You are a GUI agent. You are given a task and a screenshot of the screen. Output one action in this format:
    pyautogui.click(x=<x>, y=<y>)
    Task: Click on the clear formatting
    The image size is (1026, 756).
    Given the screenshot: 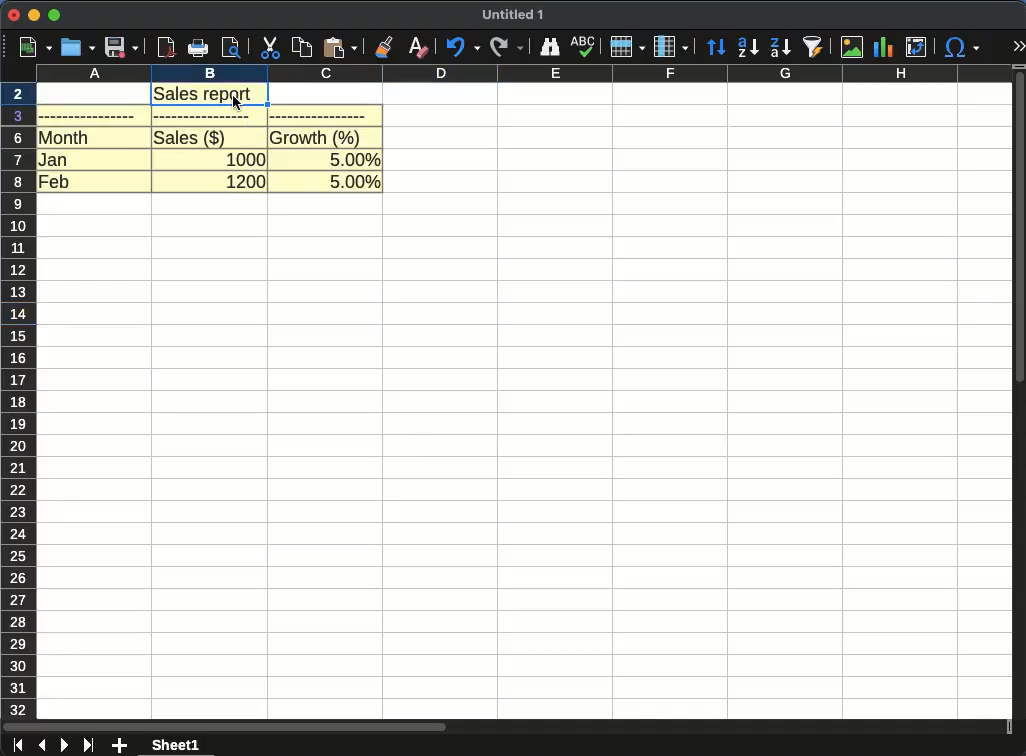 What is the action you would take?
    pyautogui.click(x=419, y=47)
    